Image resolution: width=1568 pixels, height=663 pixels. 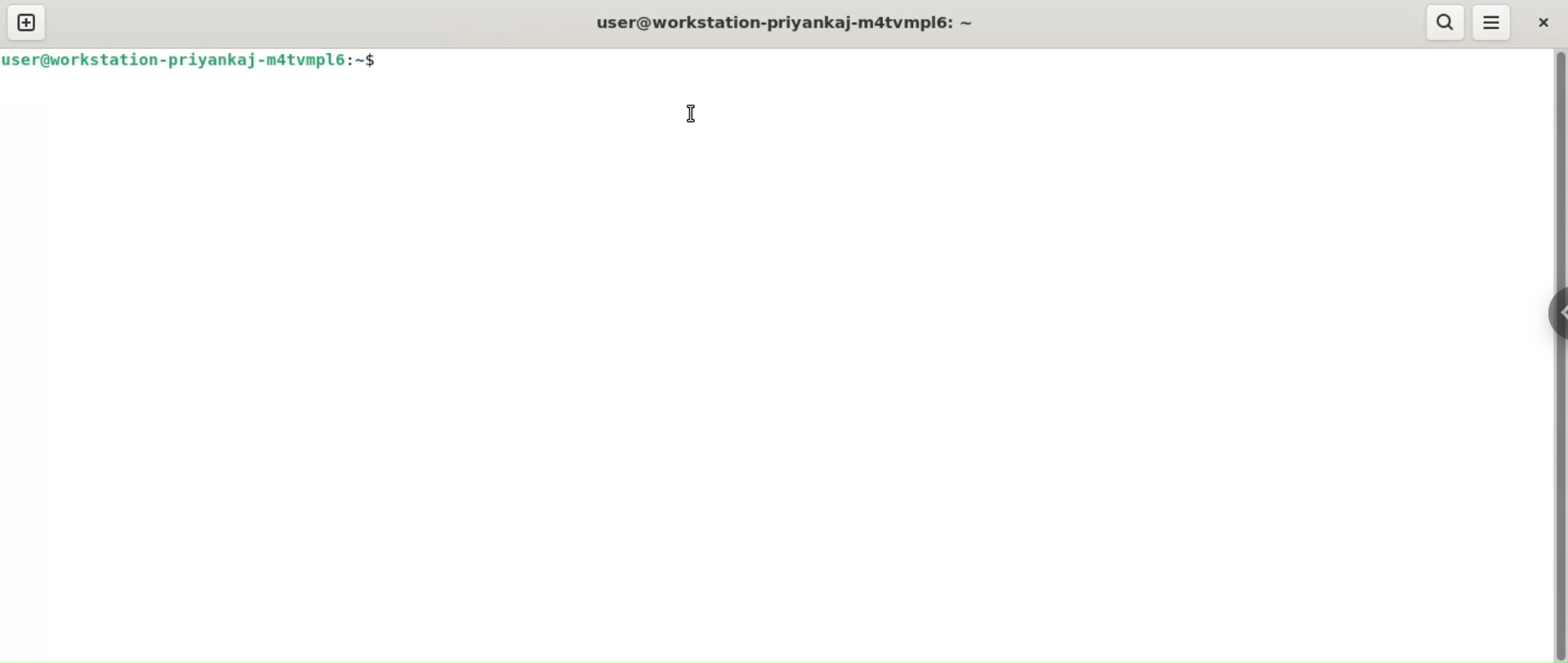 What do you see at coordinates (696, 112) in the screenshot?
I see `cursor` at bounding box center [696, 112].